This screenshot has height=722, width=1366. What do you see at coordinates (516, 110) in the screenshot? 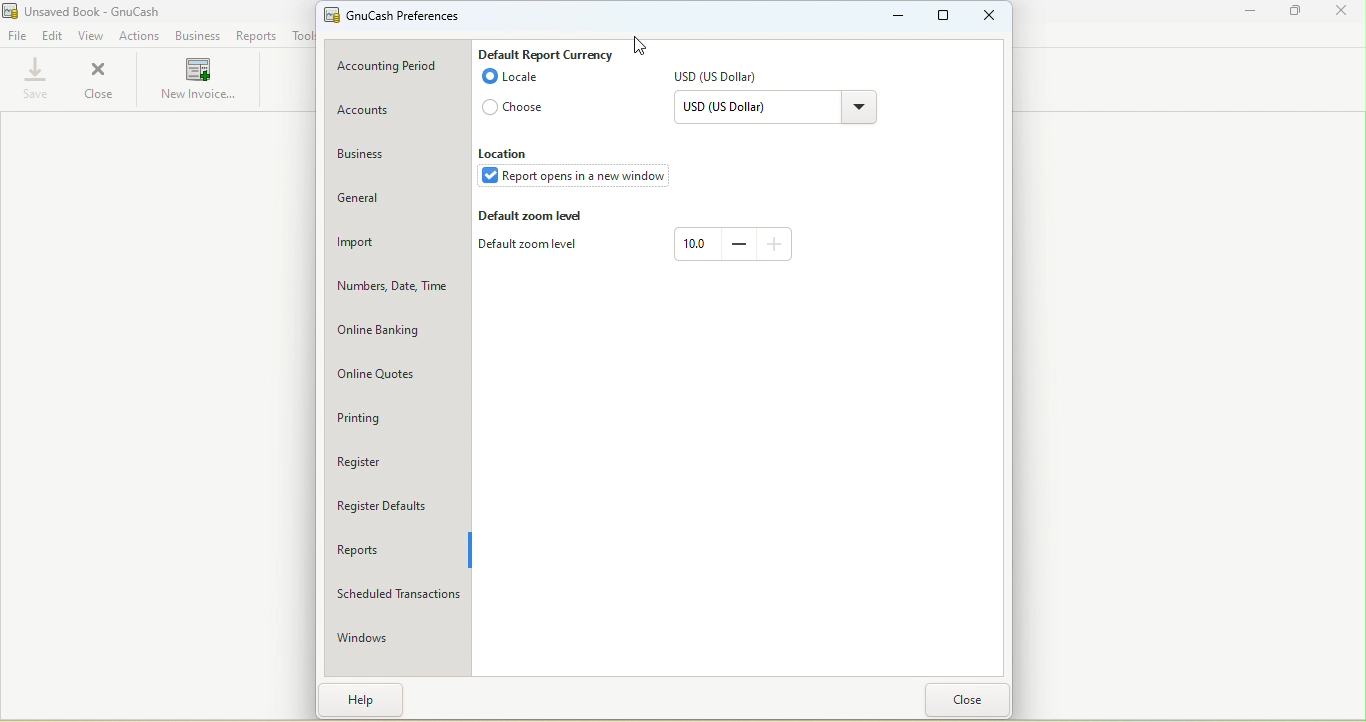
I see `Choose` at bounding box center [516, 110].